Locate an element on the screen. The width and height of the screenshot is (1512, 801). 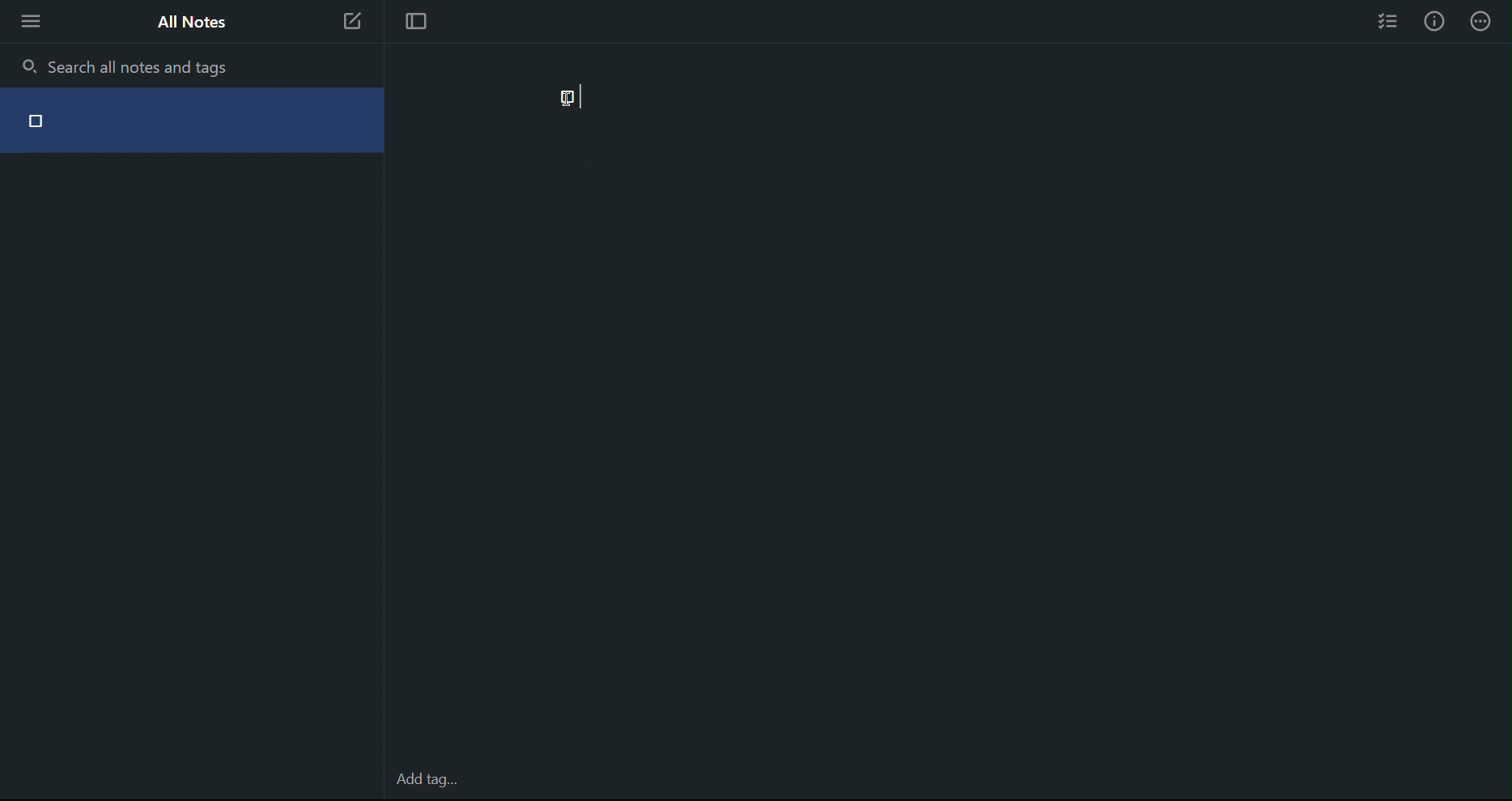
Check Point (unchecked) is located at coordinates (569, 99).